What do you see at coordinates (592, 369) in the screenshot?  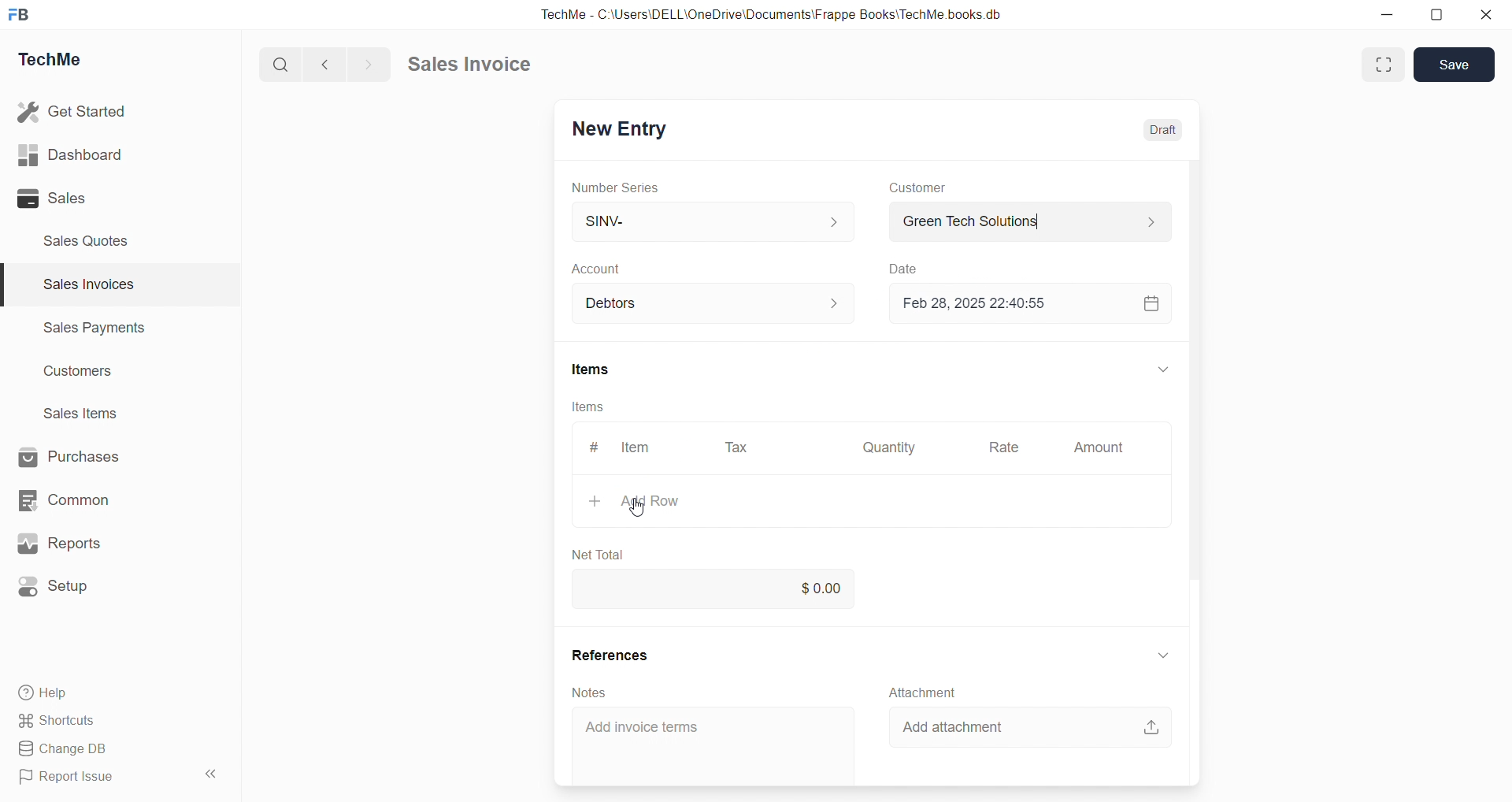 I see `Items` at bounding box center [592, 369].